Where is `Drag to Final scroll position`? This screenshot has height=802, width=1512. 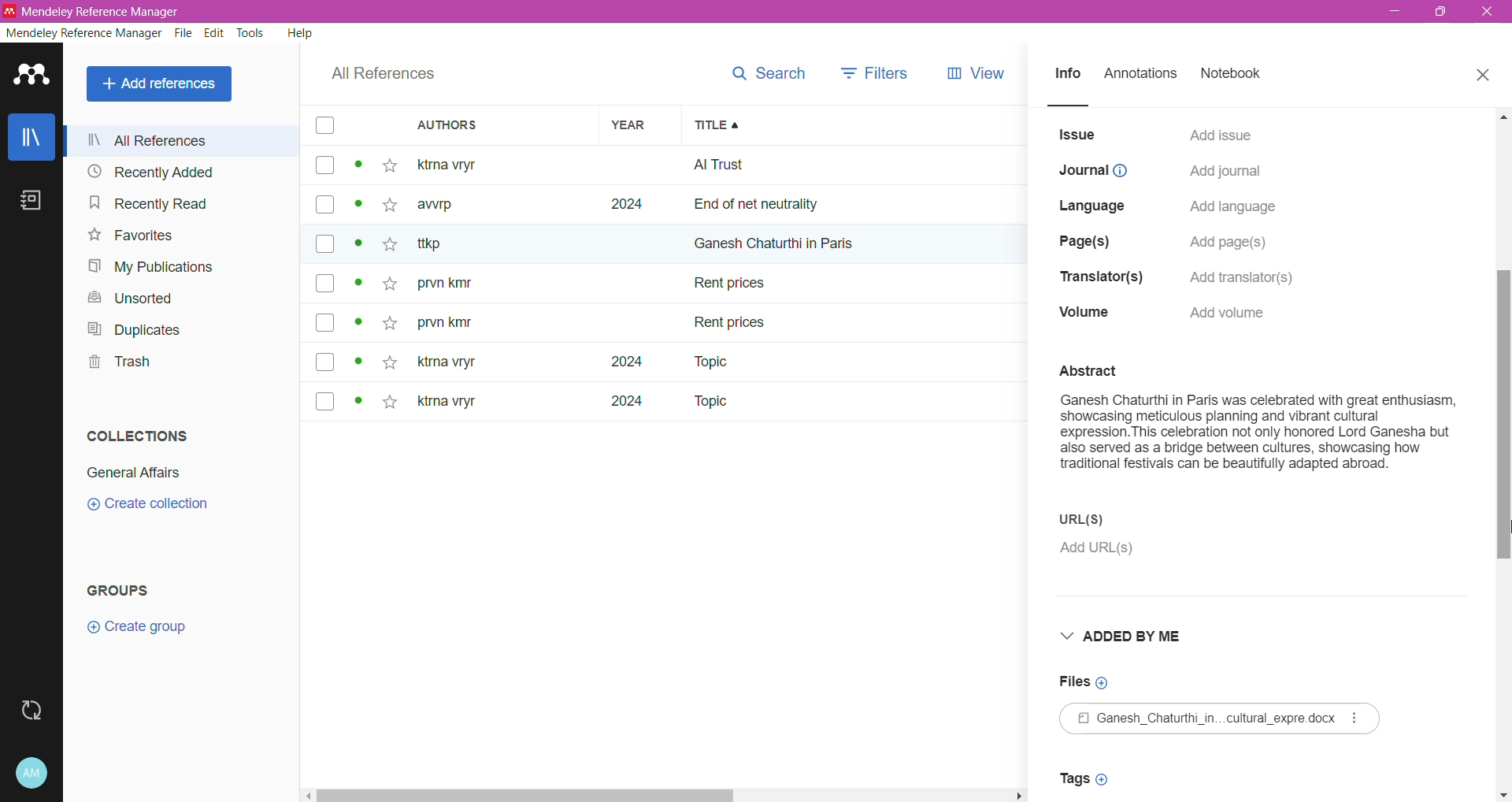
Drag to Final scroll position is located at coordinates (1501, 530).